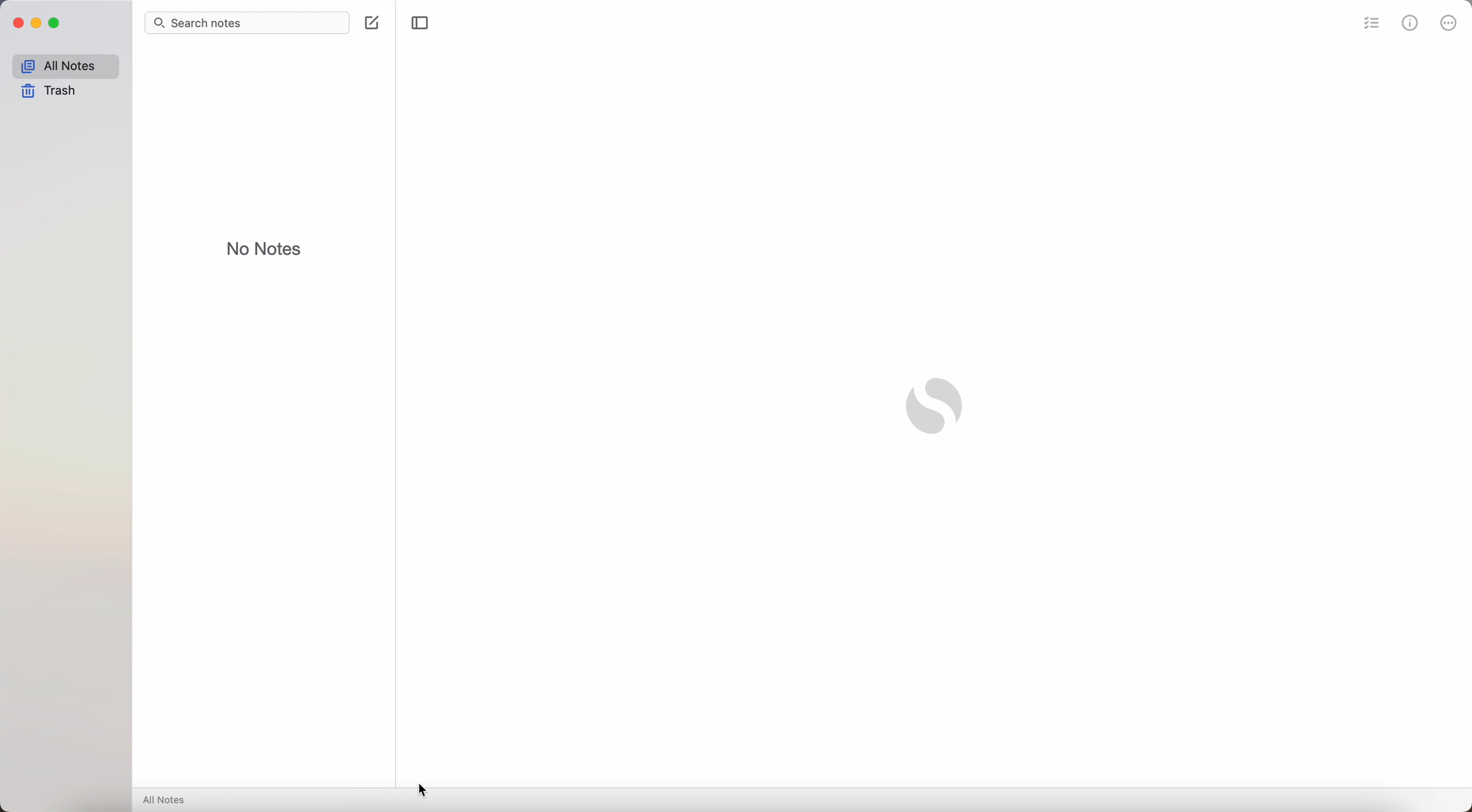 The width and height of the screenshot is (1472, 812). Describe the element at coordinates (51, 91) in the screenshot. I see `trash` at that location.